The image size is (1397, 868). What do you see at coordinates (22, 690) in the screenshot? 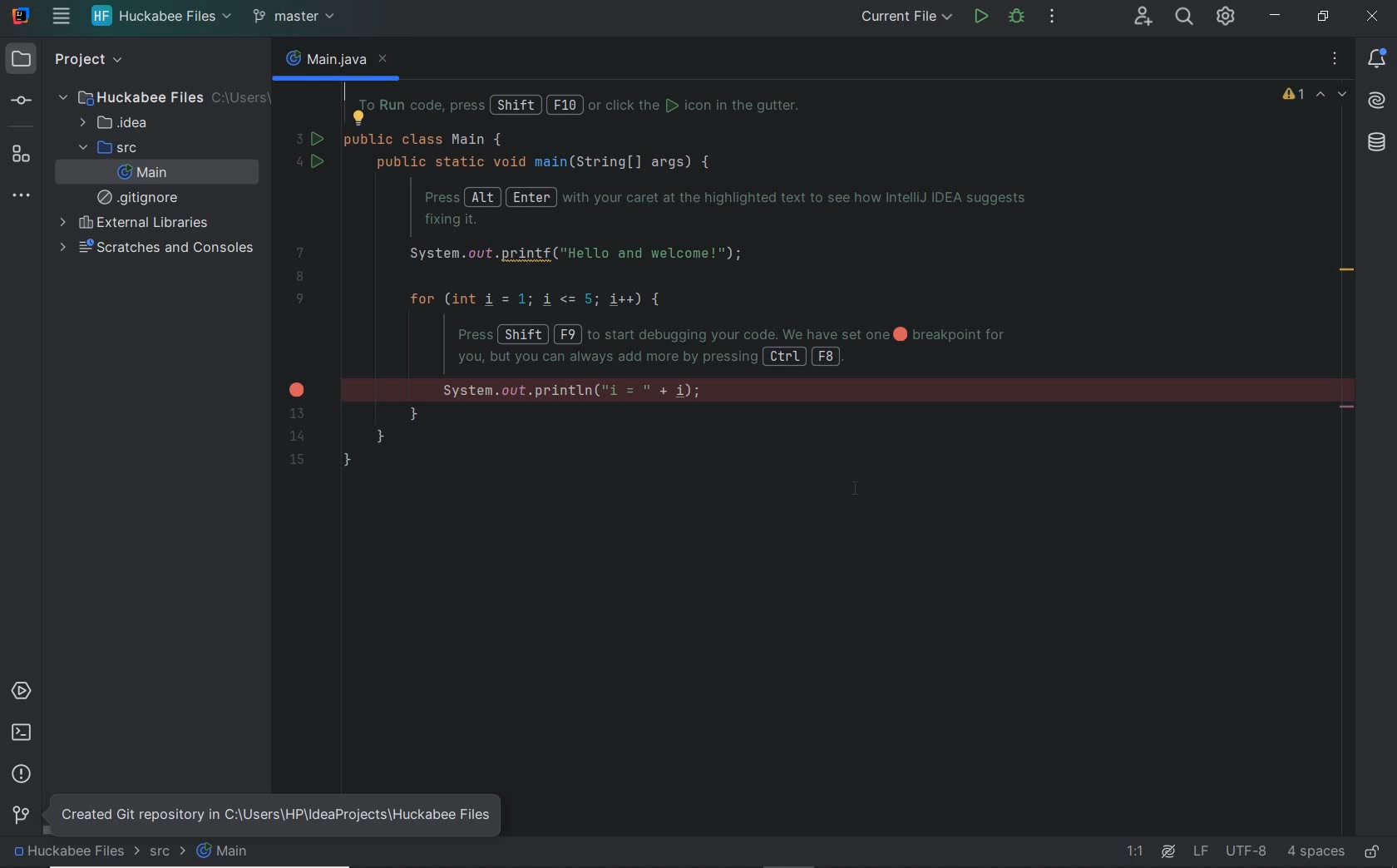
I see `services` at bounding box center [22, 690].